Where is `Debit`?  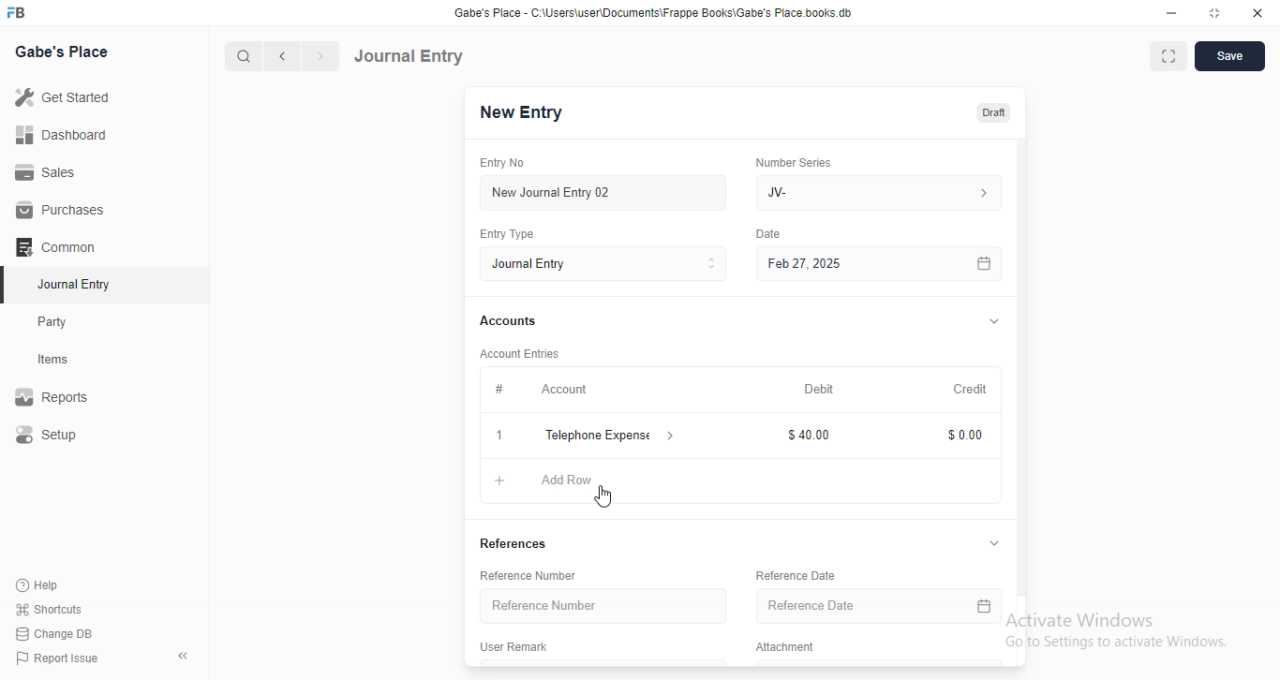
Debit is located at coordinates (819, 390).